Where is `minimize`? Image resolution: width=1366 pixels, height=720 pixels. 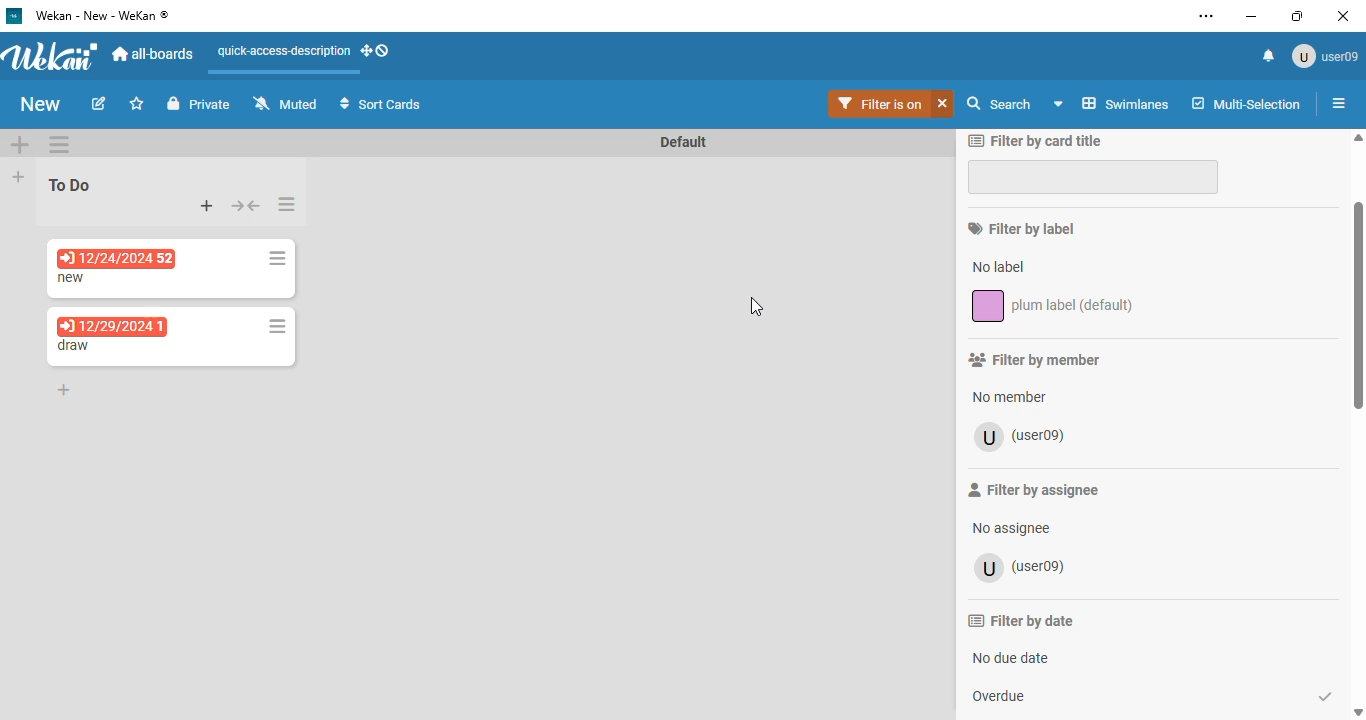 minimize is located at coordinates (1252, 16).